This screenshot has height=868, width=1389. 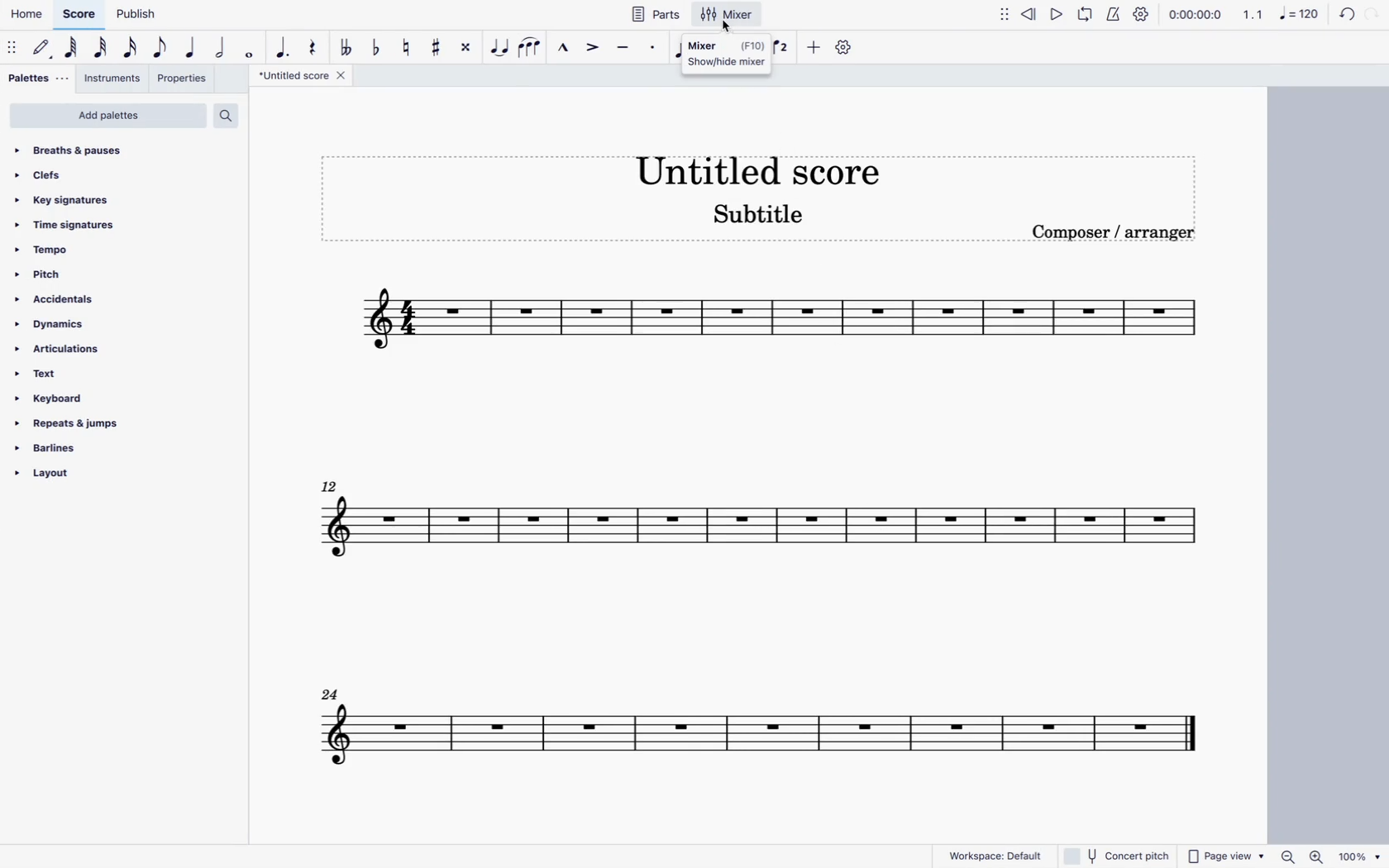 What do you see at coordinates (759, 218) in the screenshot?
I see `score subtitle` at bounding box center [759, 218].